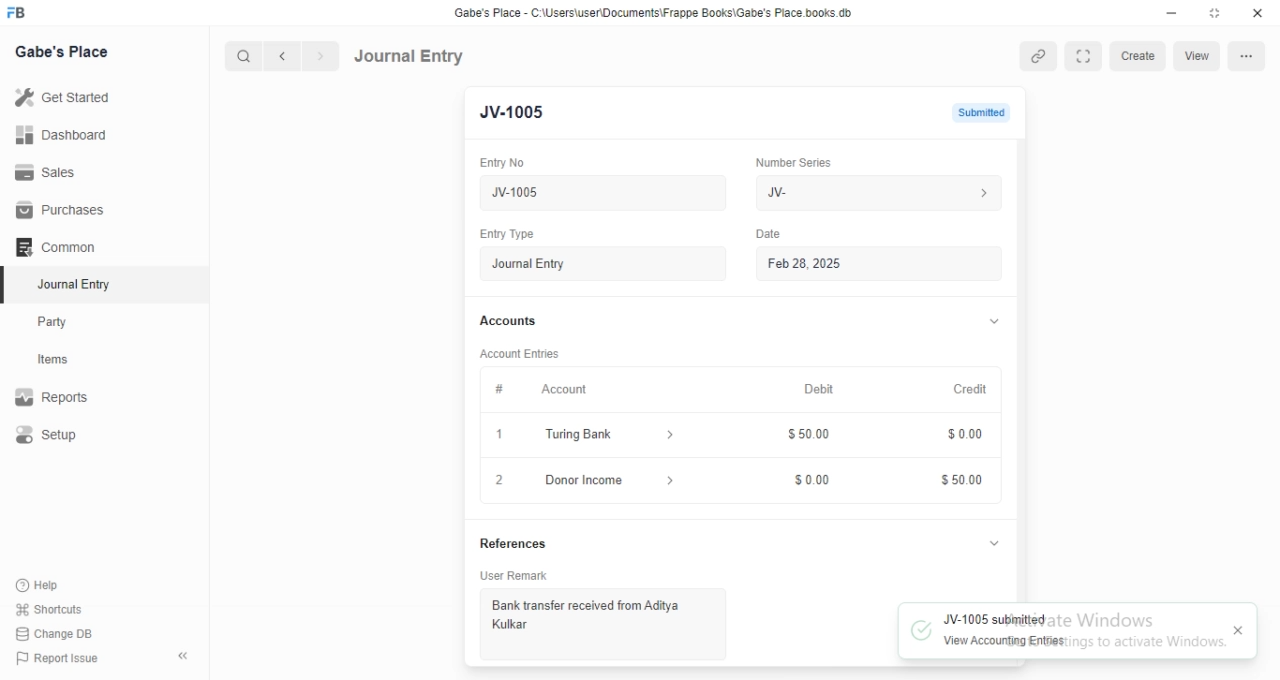 This screenshot has width=1280, height=680. What do you see at coordinates (66, 361) in the screenshot?
I see `items` at bounding box center [66, 361].